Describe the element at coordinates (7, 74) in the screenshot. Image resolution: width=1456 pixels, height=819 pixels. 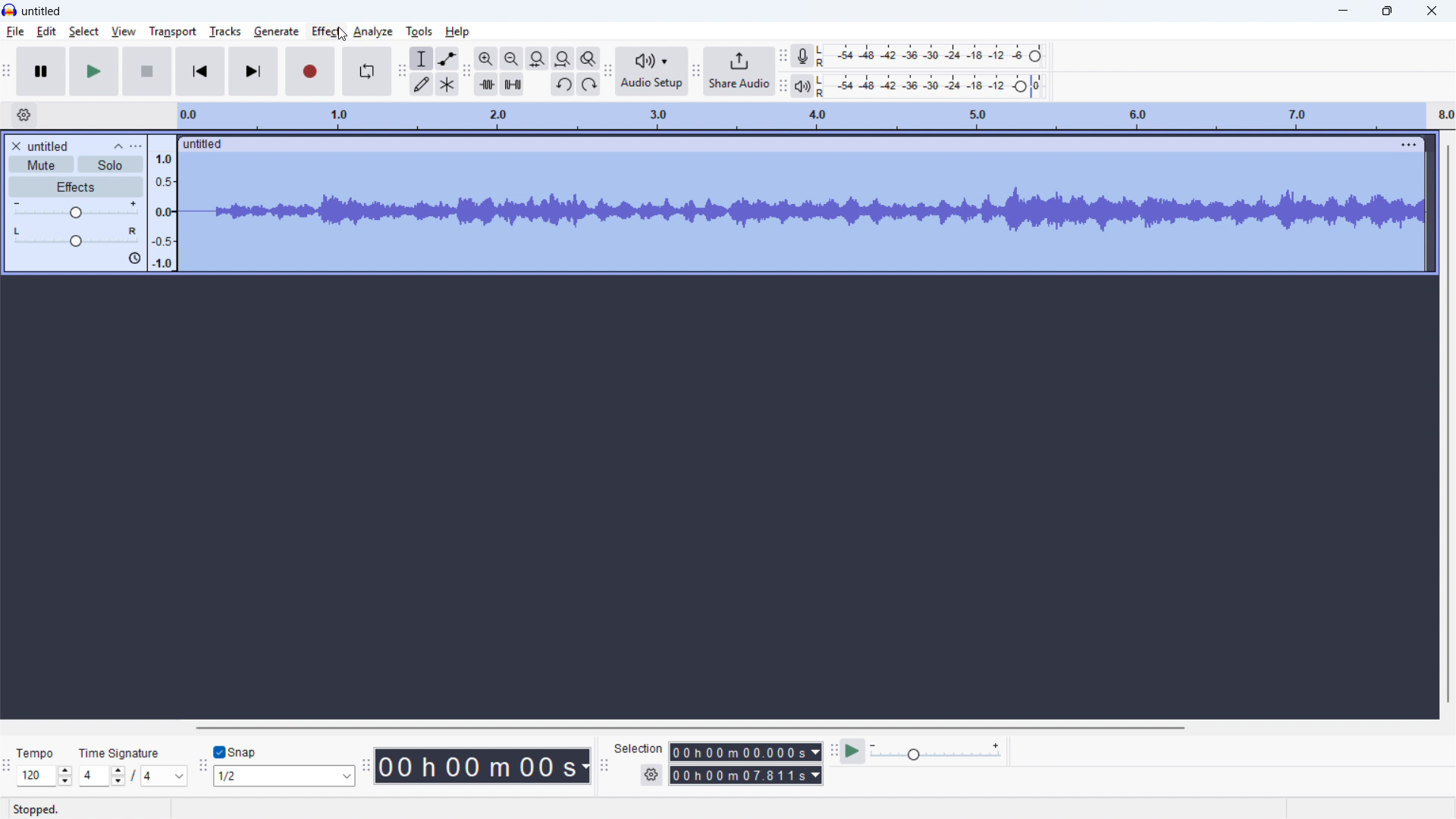
I see `transport toolbar` at that location.